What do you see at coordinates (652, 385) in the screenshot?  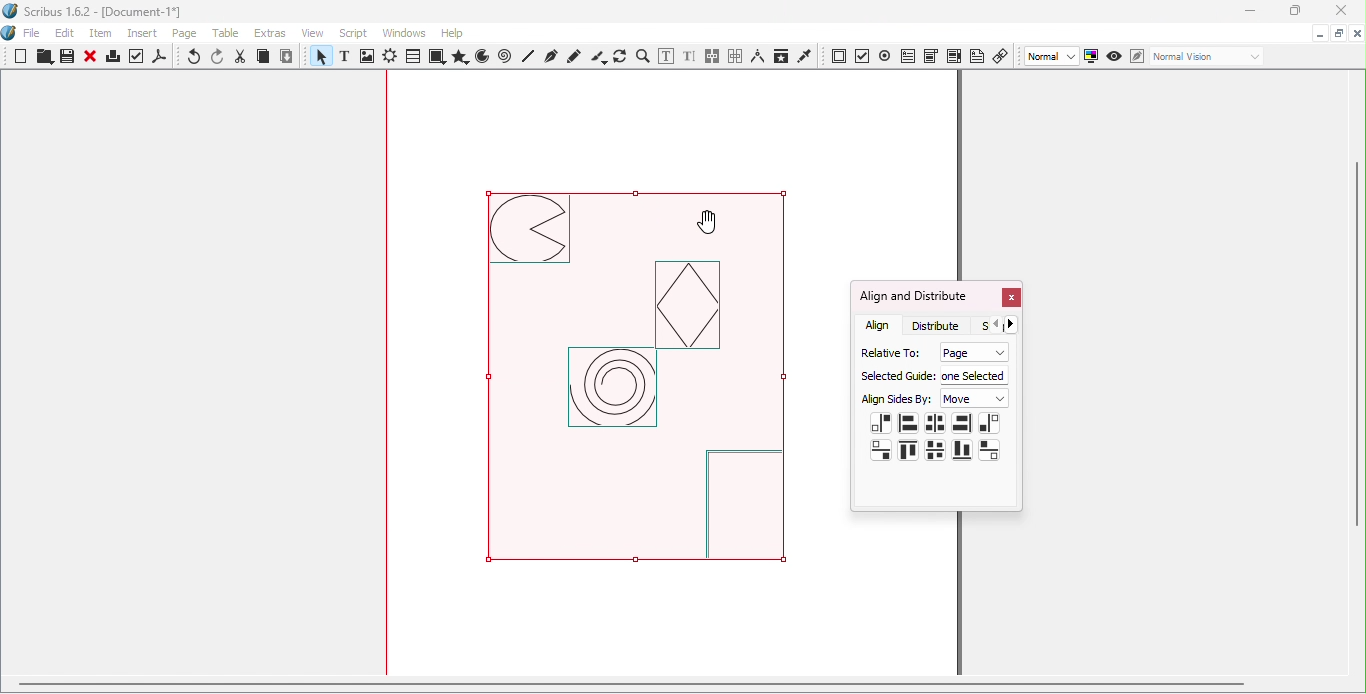 I see `Selected image` at bounding box center [652, 385].